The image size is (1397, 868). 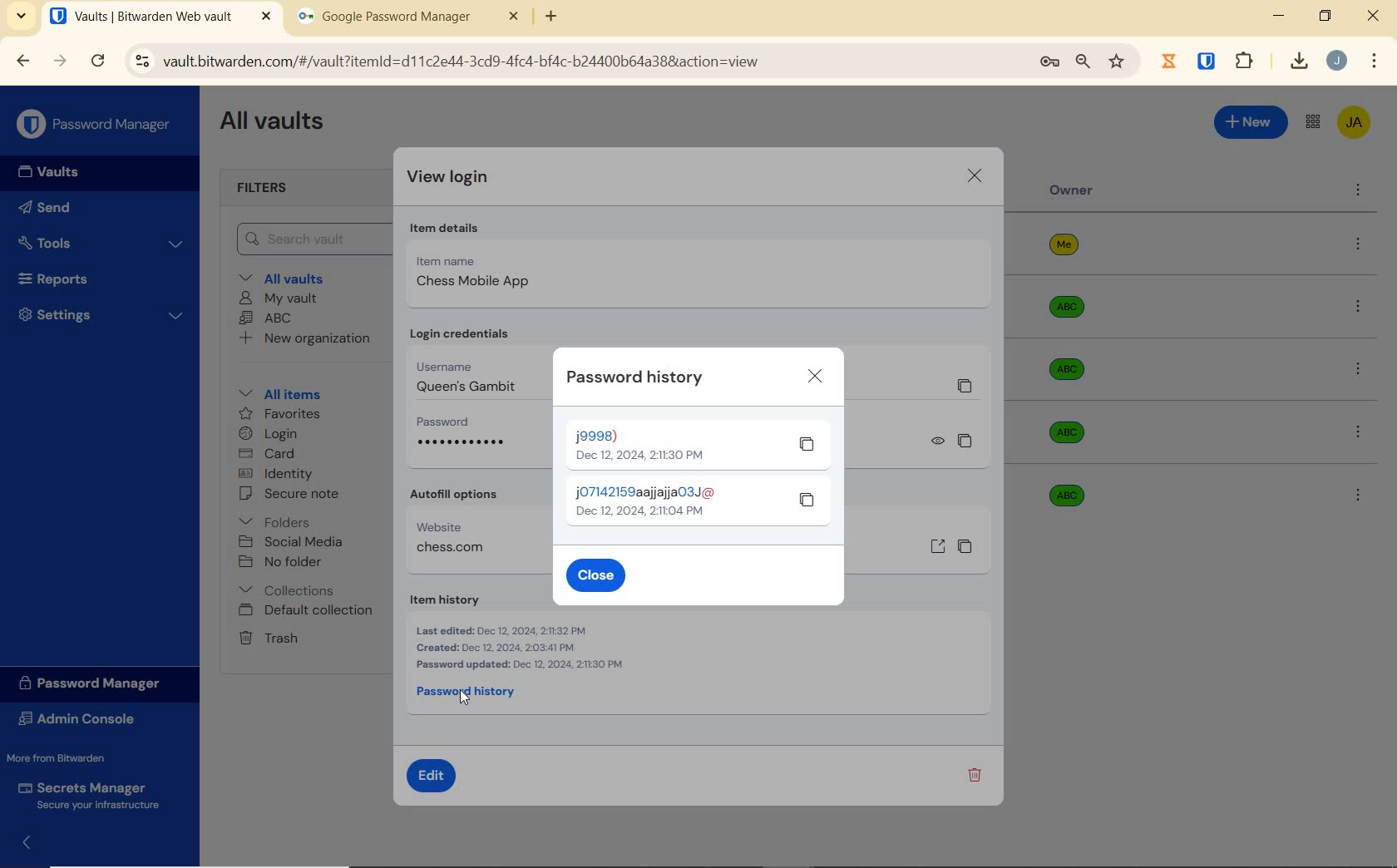 What do you see at coordinates (1312, 121) in the screenshot?
I see `toggle between admin console and password manager` at bounding box center [1312, 121].